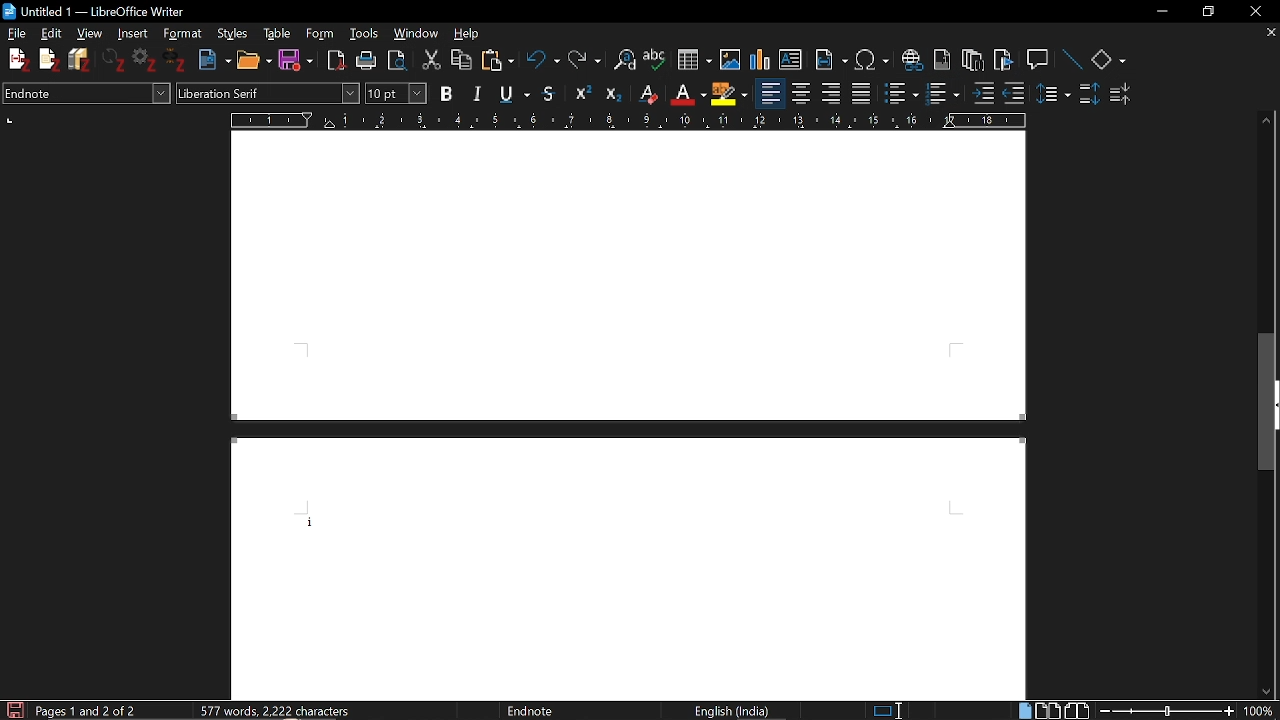 The image size is (1280, 720). I want to click on icon, so click(10, 12).